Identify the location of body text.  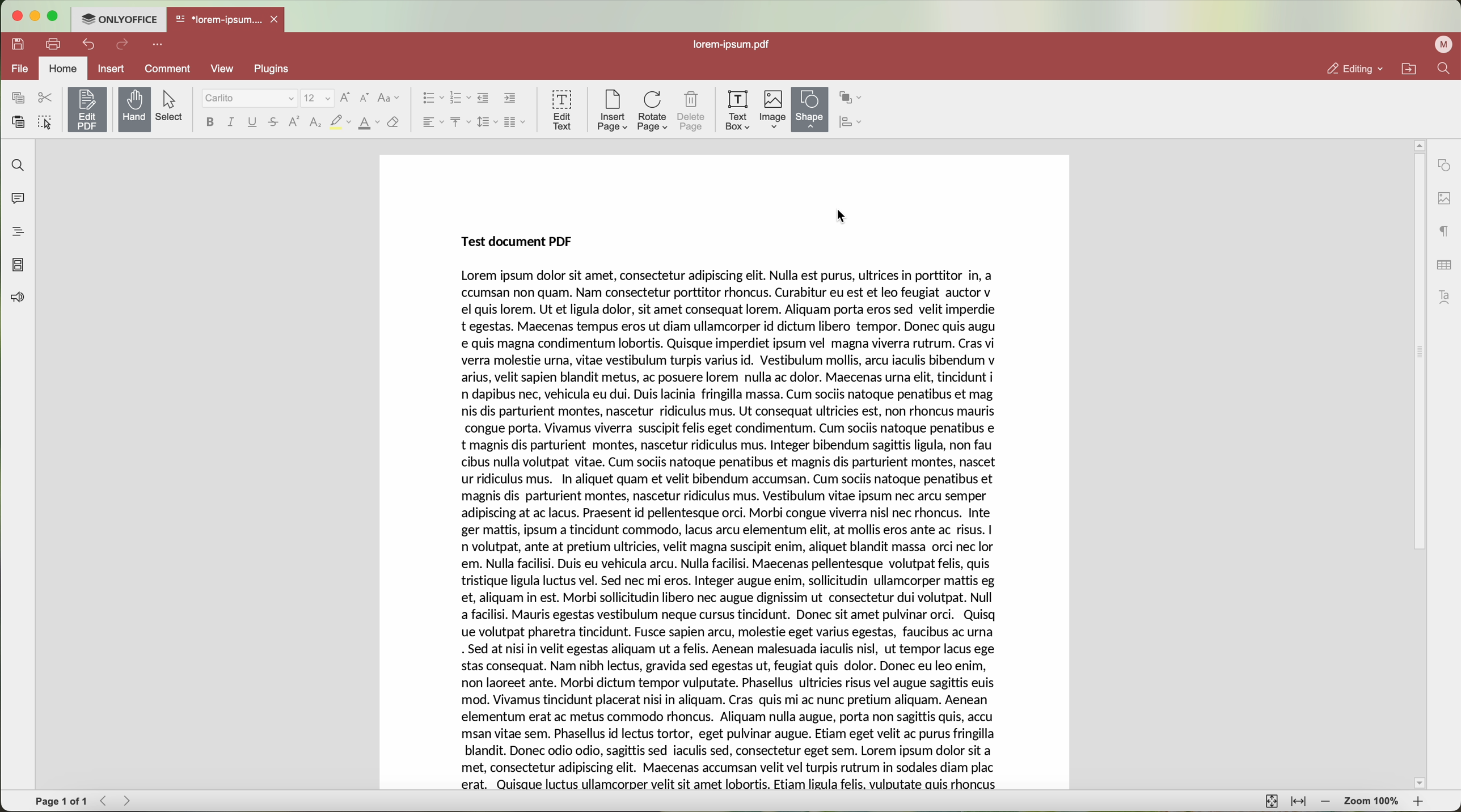
(729, 530).